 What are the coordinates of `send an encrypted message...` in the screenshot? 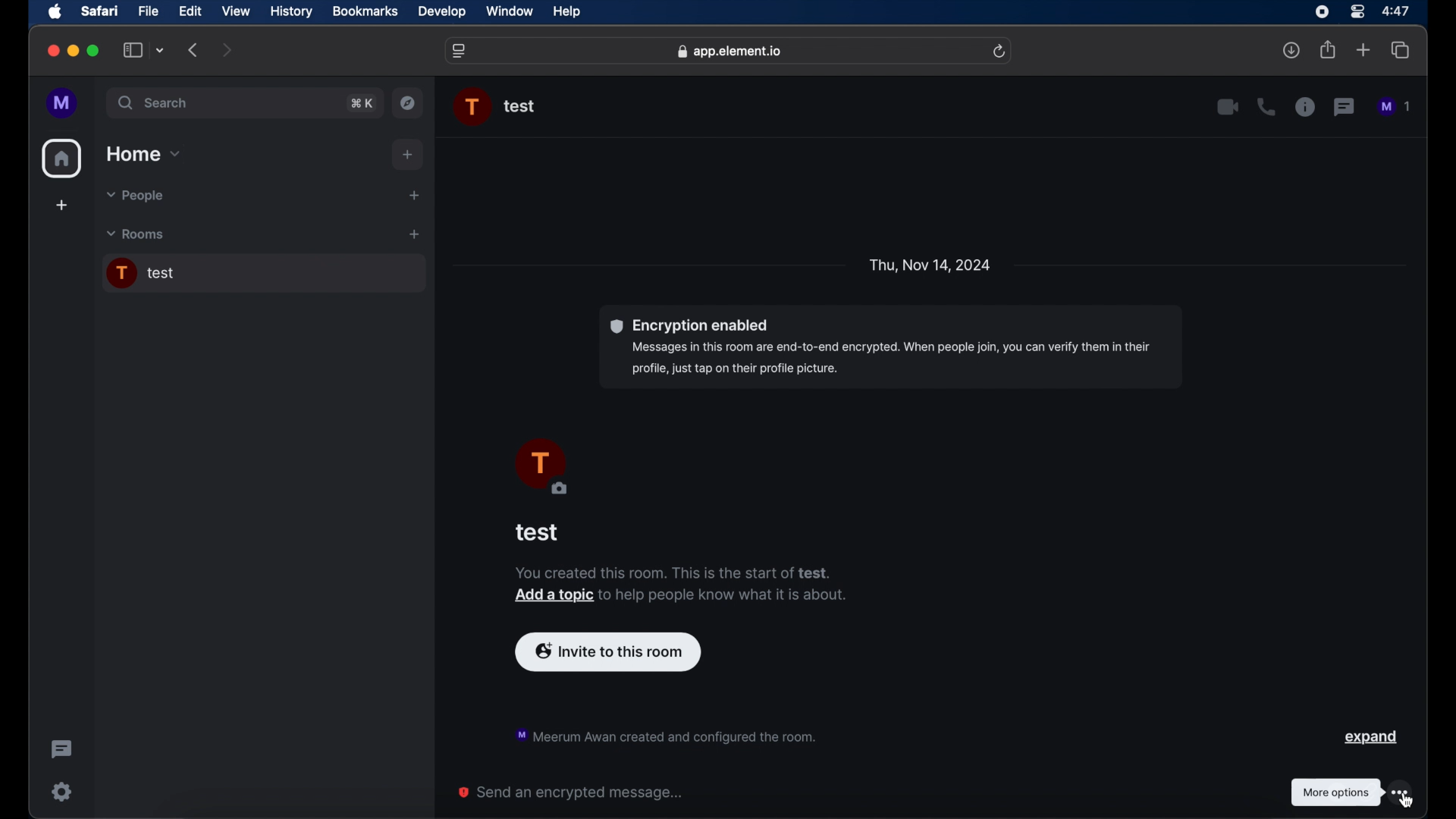 It's located at (572, 792).